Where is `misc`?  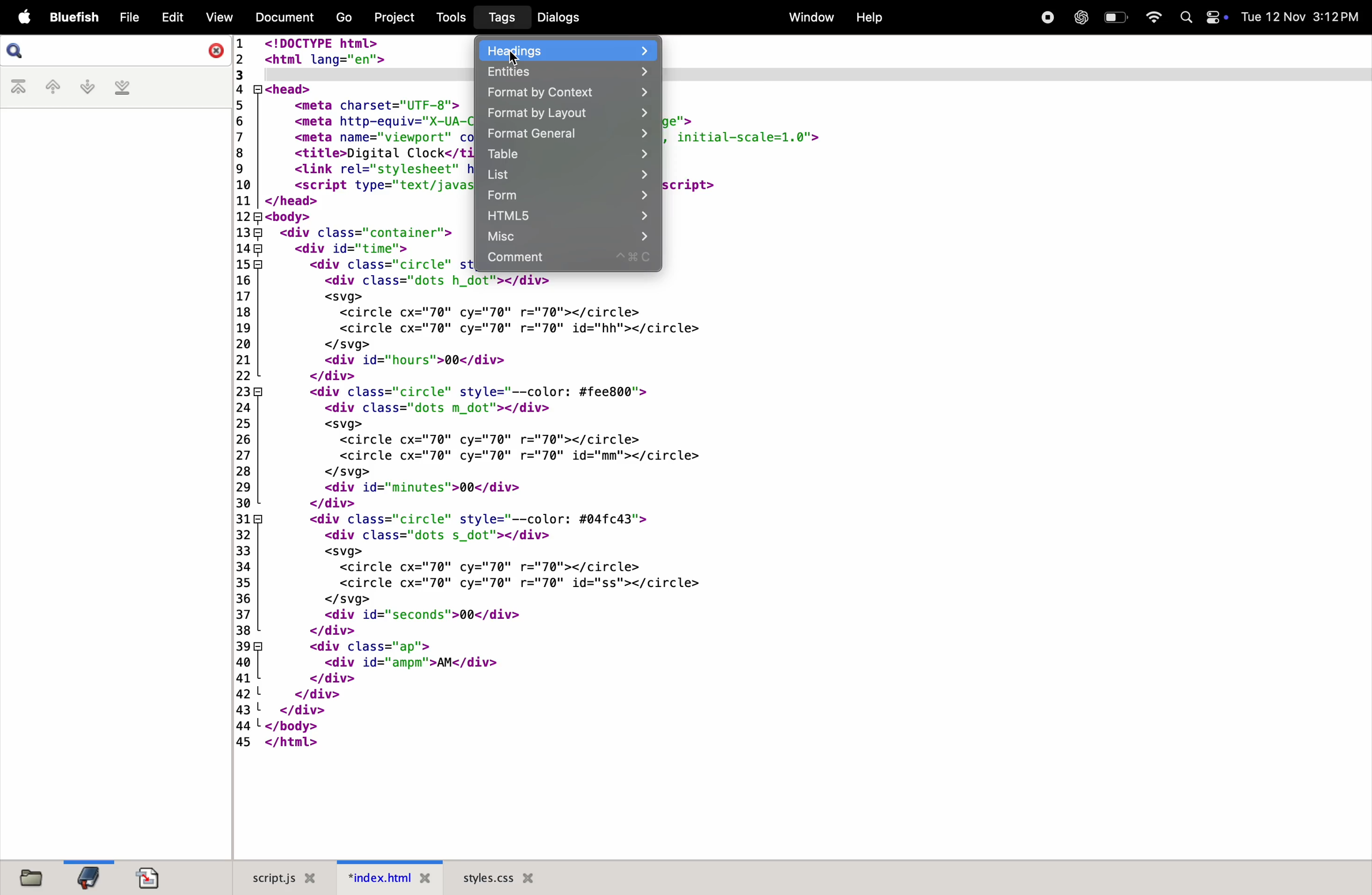
misc is located at coordinates (566, 237).